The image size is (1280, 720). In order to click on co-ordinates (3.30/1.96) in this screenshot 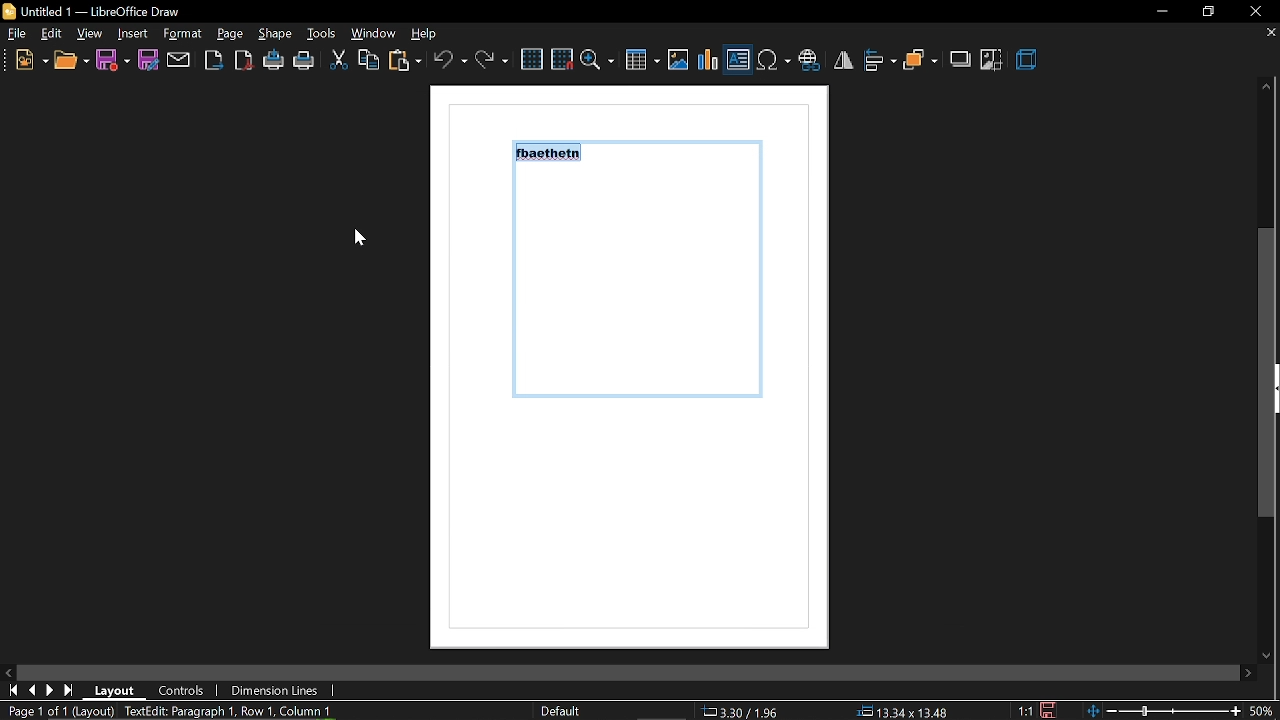, I will do `click(738, 711)`.